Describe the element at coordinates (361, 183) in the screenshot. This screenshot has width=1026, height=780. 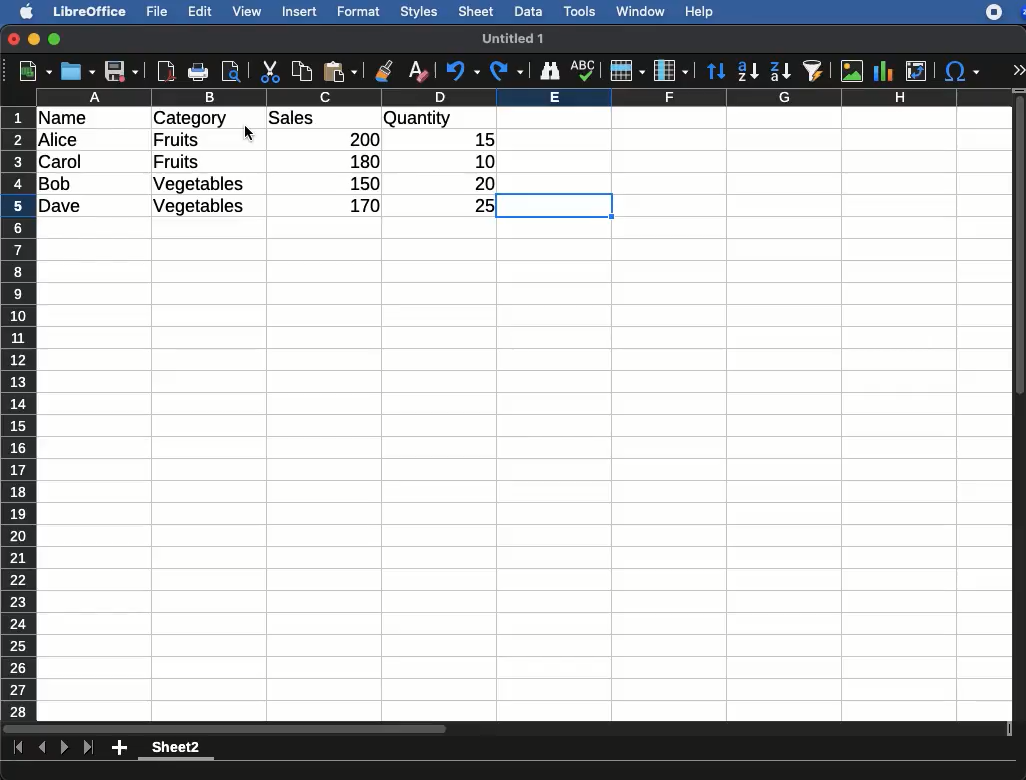
I see `150` at that location.